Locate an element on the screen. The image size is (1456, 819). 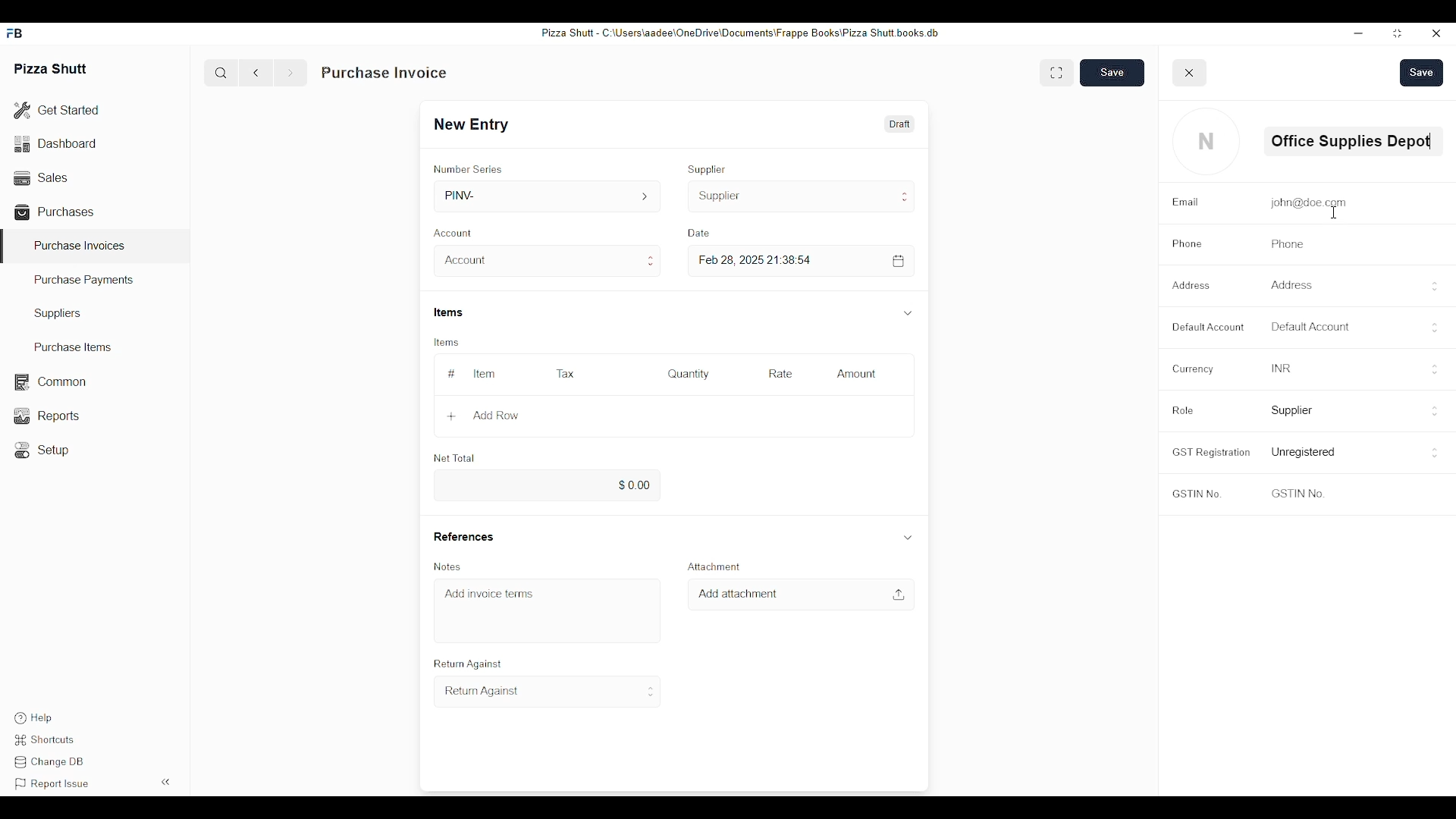
Default Account is located at coordinates (1207, 327).